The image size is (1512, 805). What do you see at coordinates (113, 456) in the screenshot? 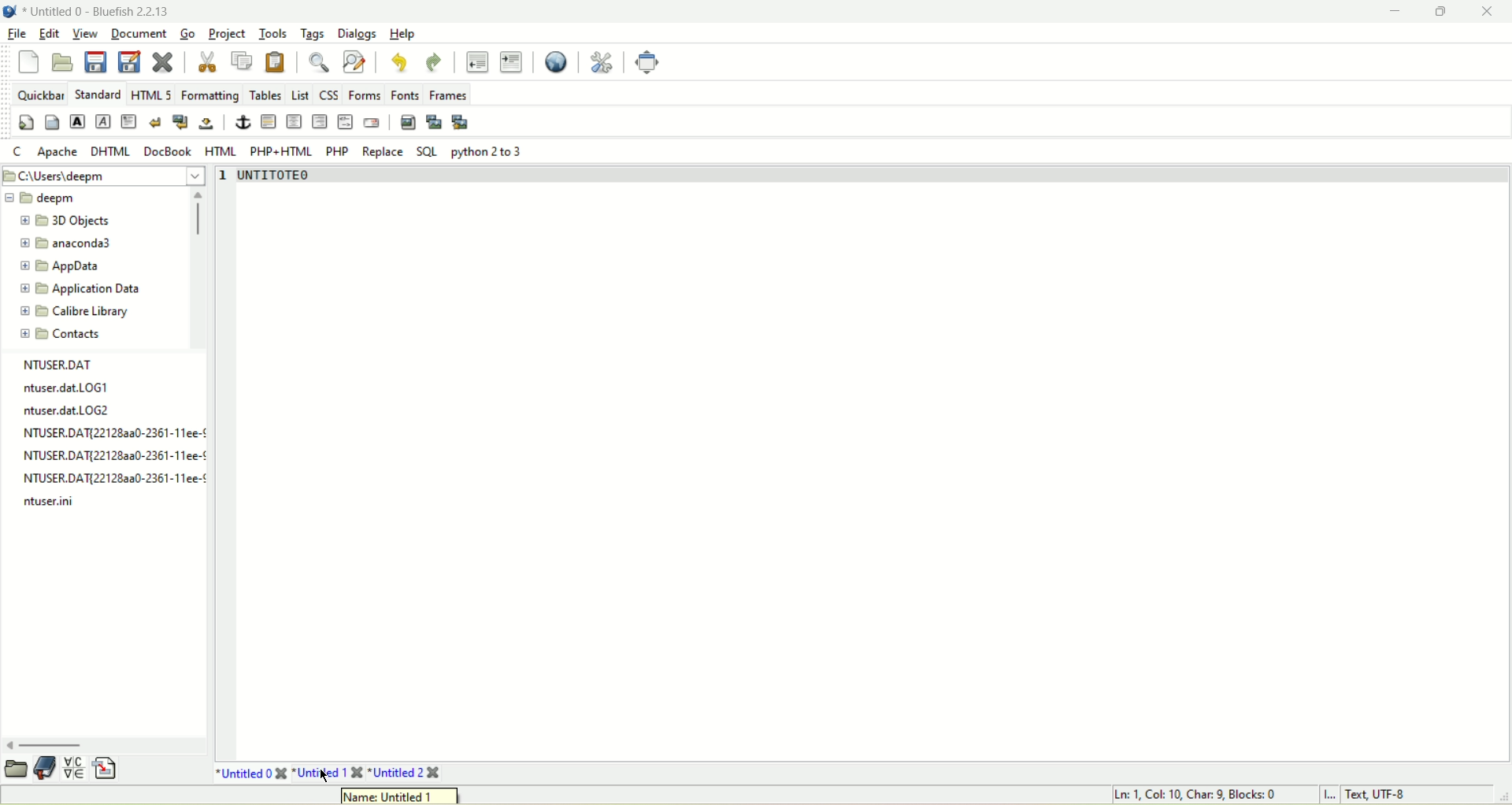
I see `NTUSER.DAT{22128aa0-2361-11ee-¢` at bounding box center [113, 456].